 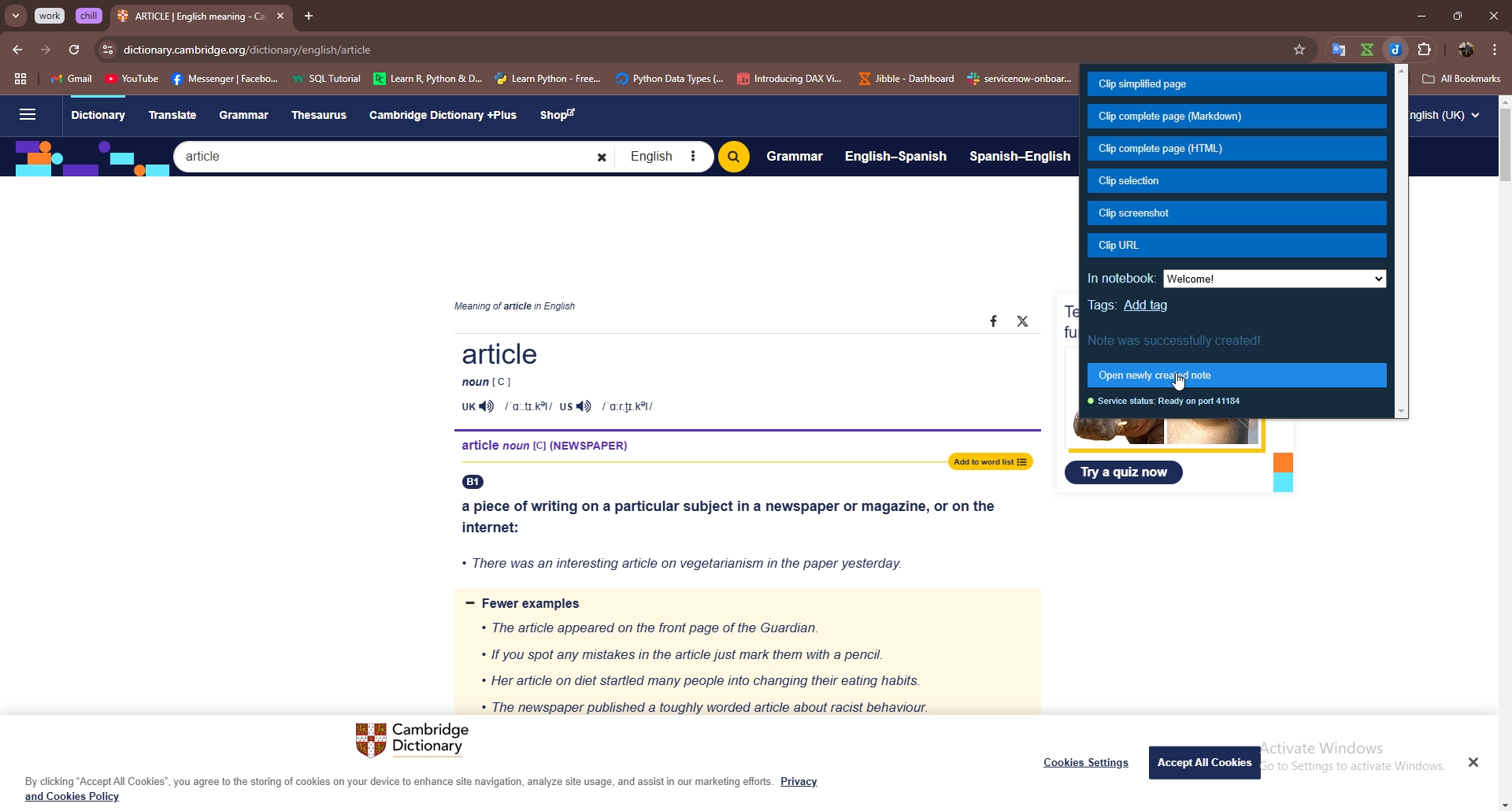 What do you see at coordinates (1193, 389) in the screenshot?
I see `Cursor` at bounding box center [1193, 389].